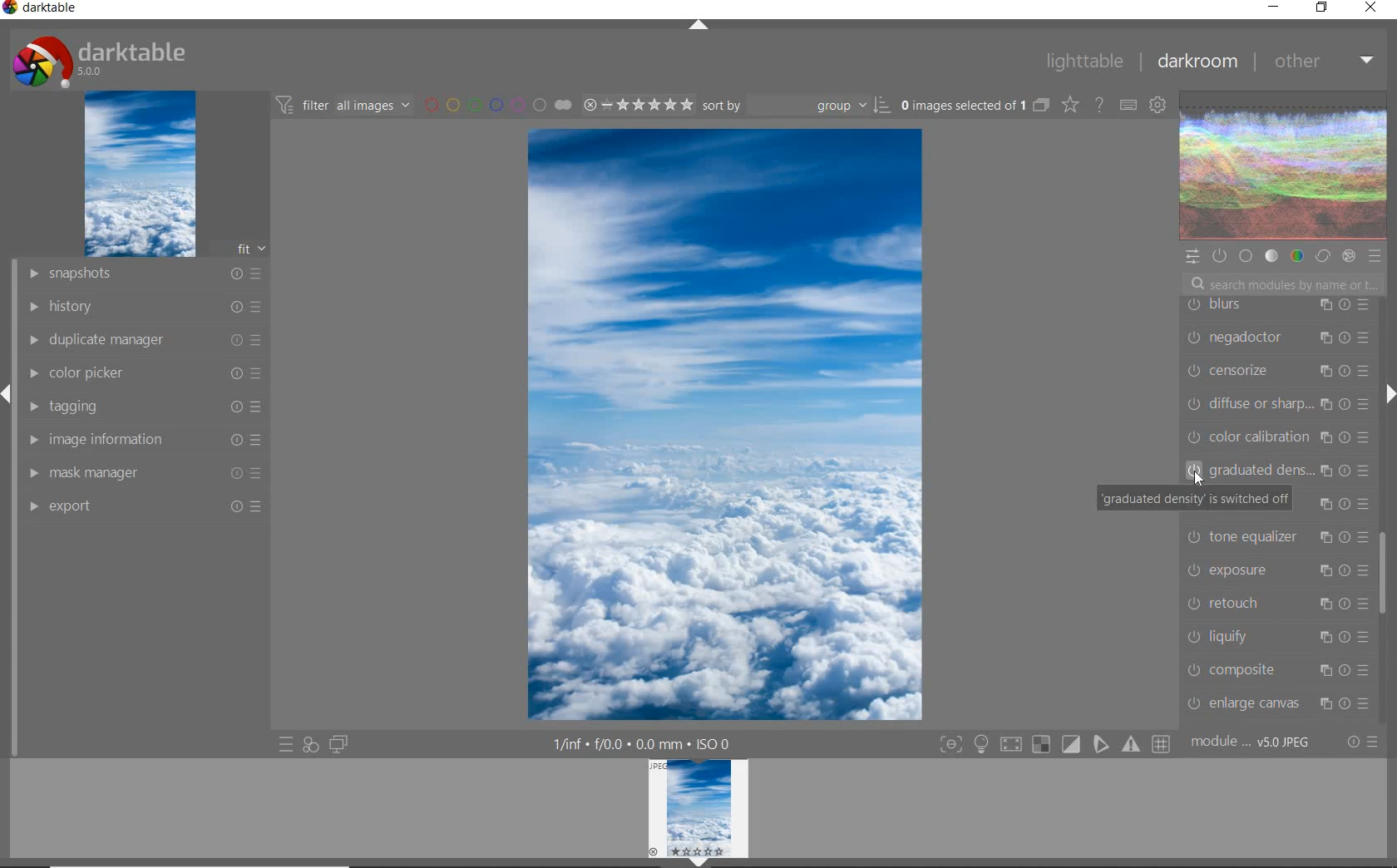 This screenshot has width=1397, height=868. I want to click on CHANGE TYPE OF OVERLAY, so click(1069, 106).